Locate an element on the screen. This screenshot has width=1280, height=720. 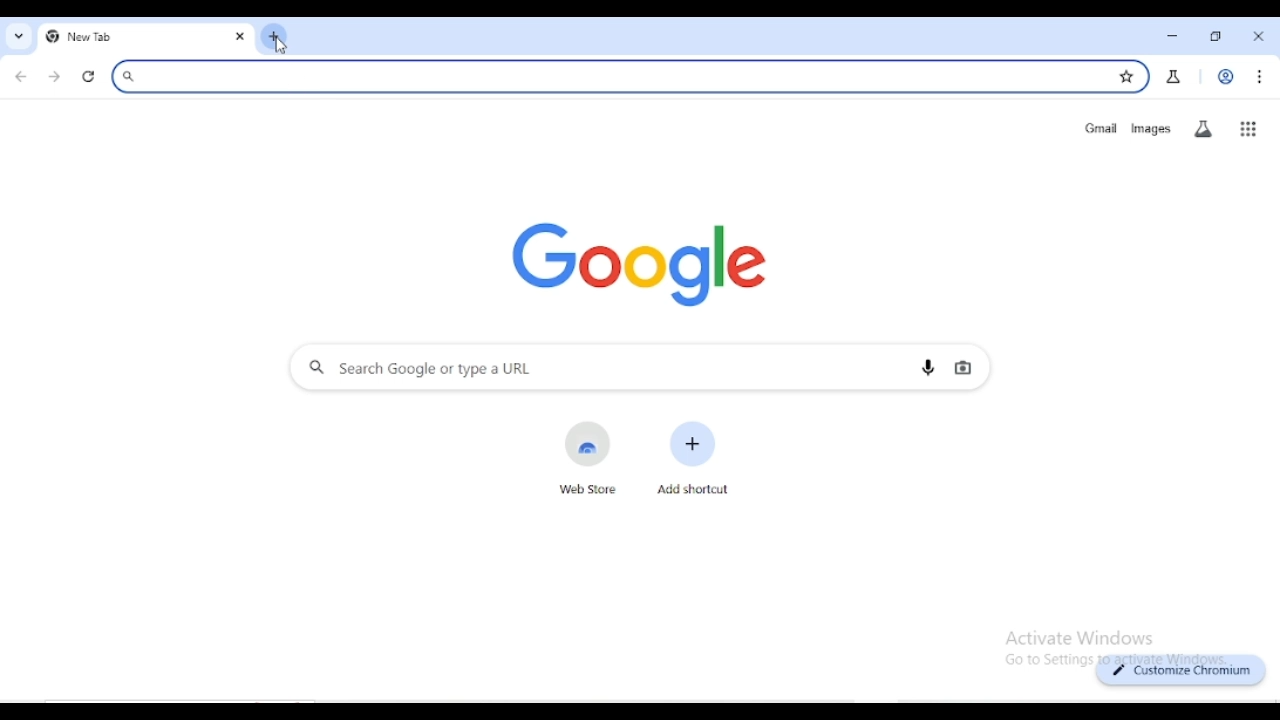
new tab is located at coordinates (274, 36).